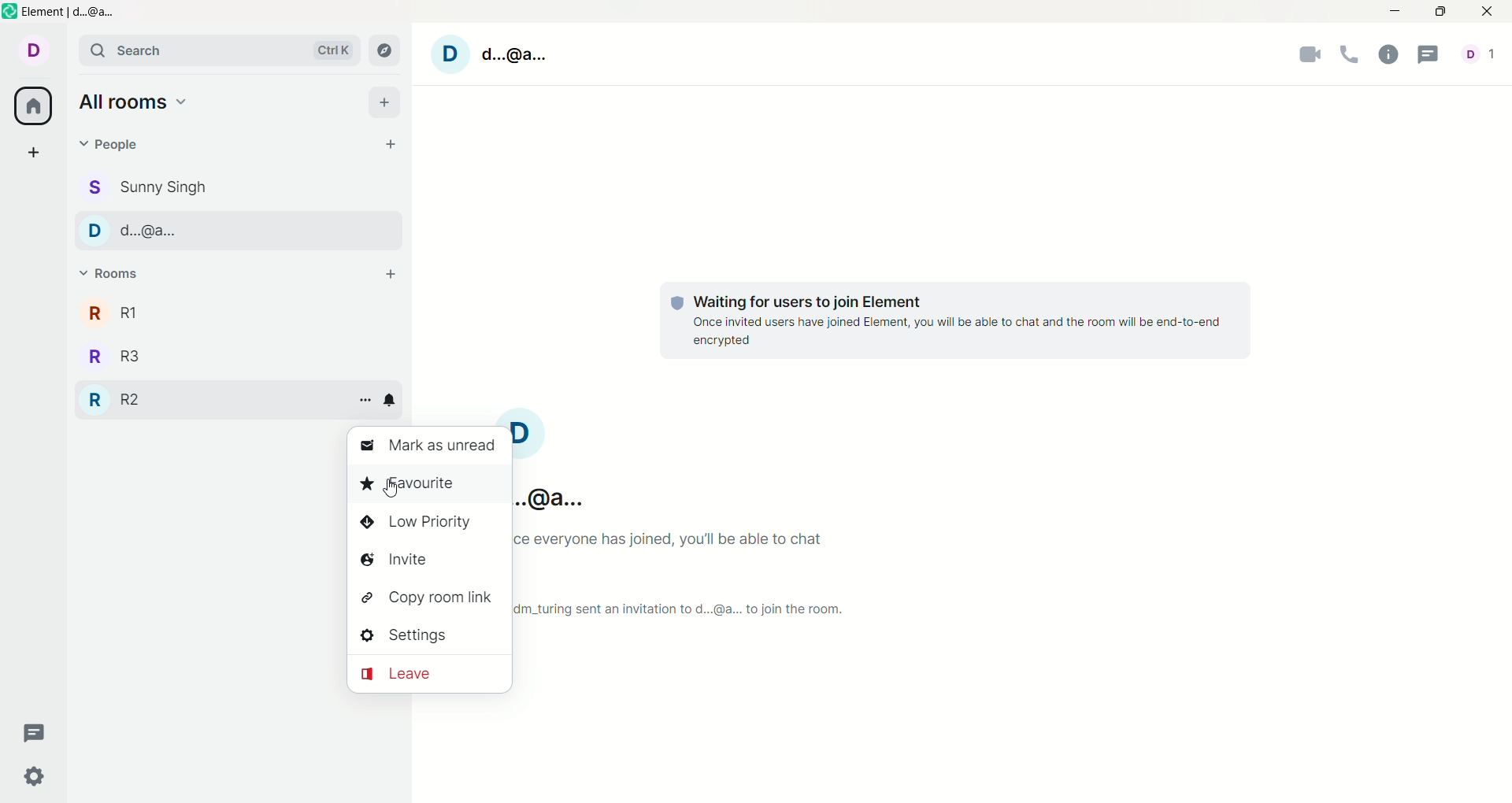  What do you see at coordinates (431, 522) in the screenshot?
I see `low priority` at bounding box center [431, 522].